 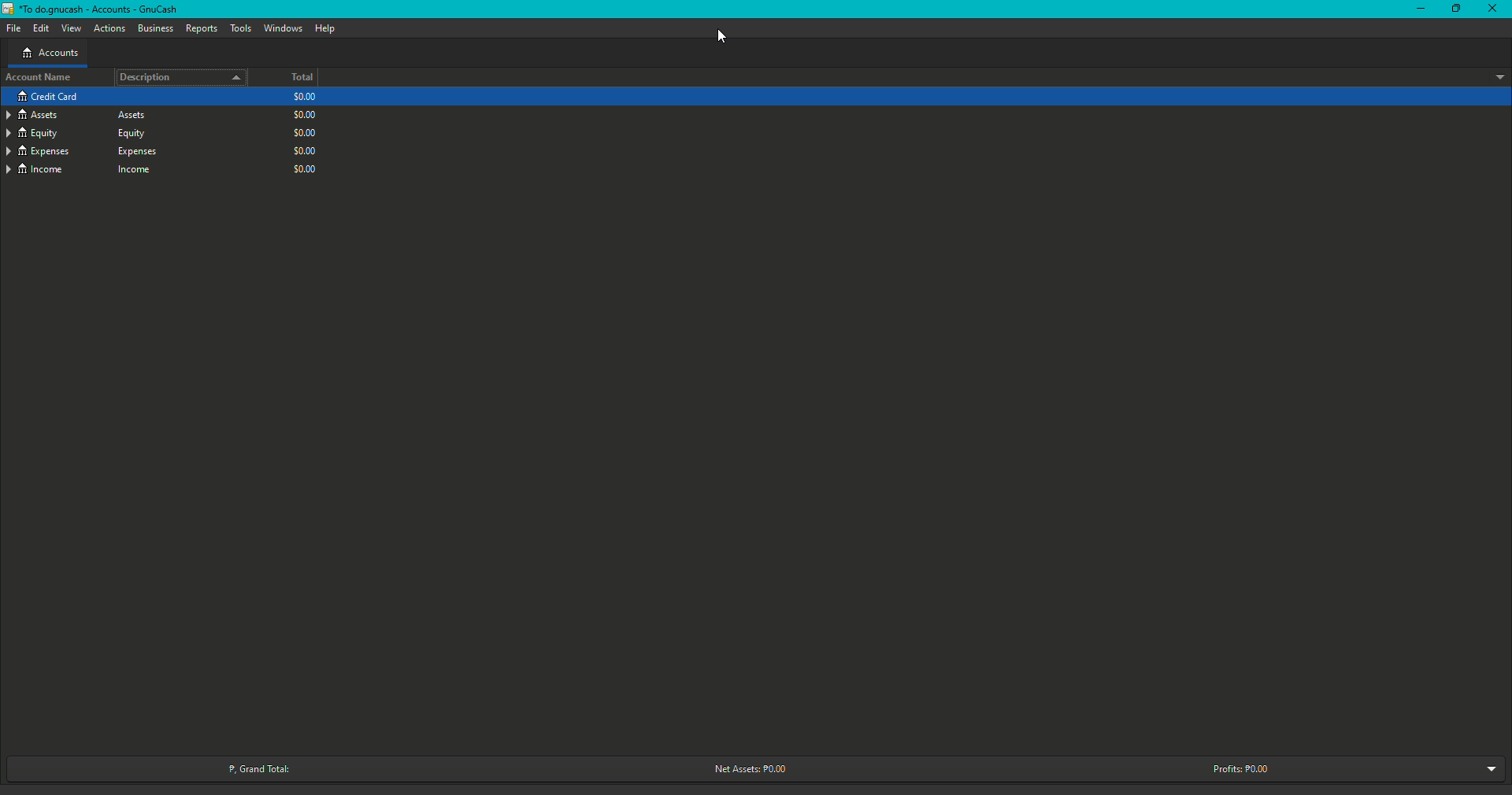 What do you see at coordinates (260, 767) in the screenshot?
I see `Grand Total` at bounding box center [260, 767].